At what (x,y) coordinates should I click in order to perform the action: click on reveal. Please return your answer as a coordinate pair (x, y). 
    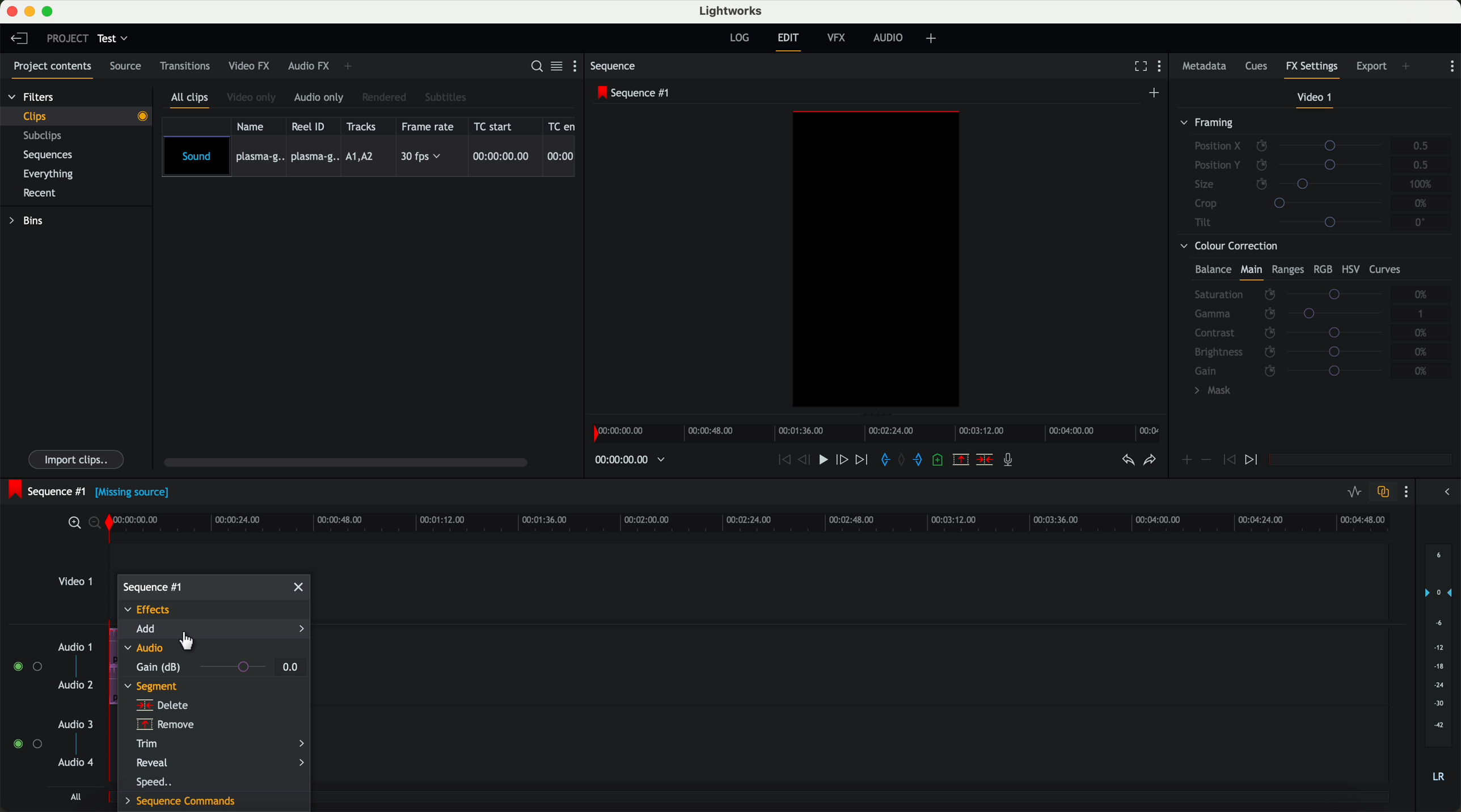
    Looking at the image, I should click on (220, 763).